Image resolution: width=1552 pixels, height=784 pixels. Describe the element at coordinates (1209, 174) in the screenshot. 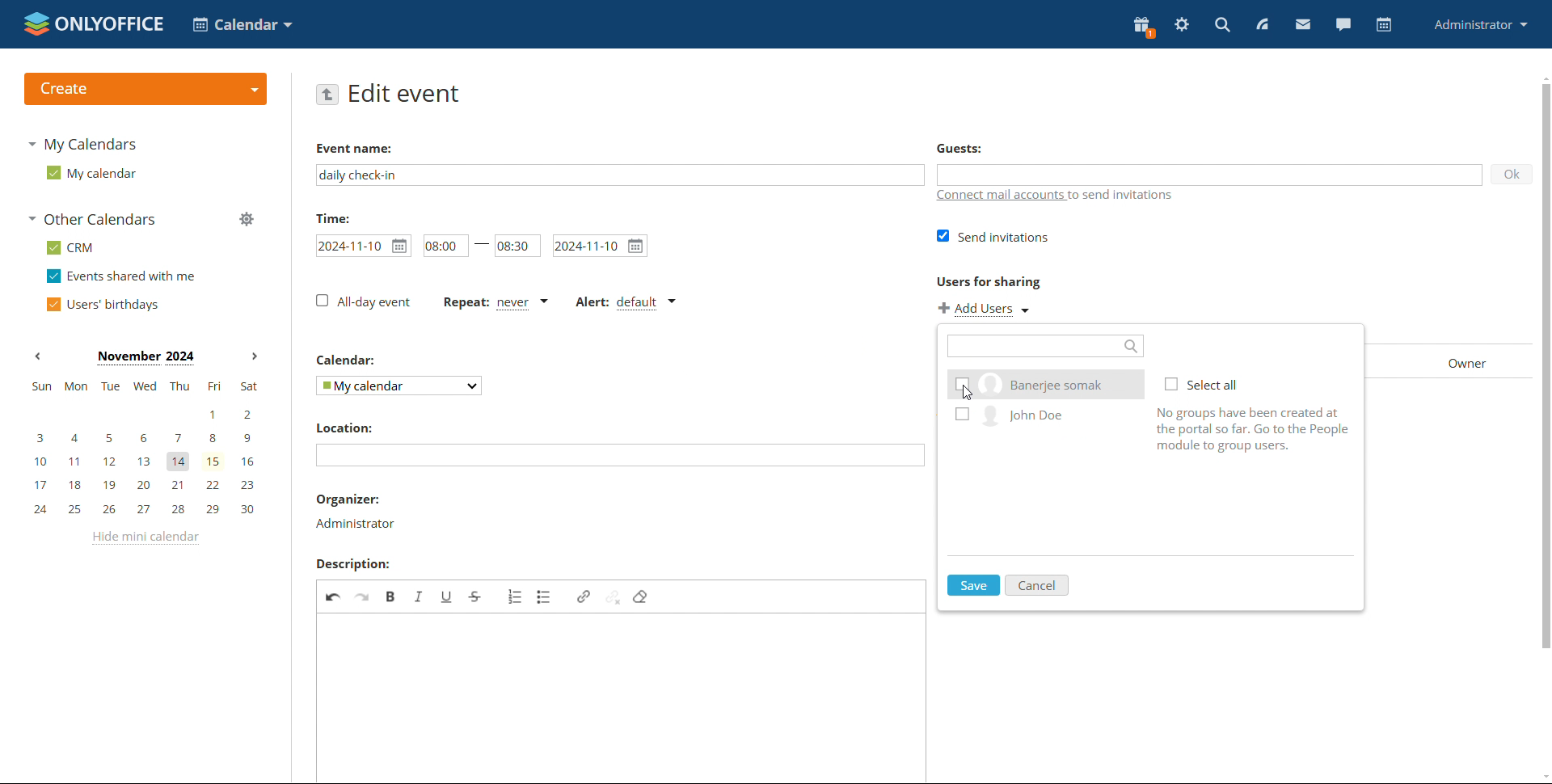

I see `add guests` at that location.